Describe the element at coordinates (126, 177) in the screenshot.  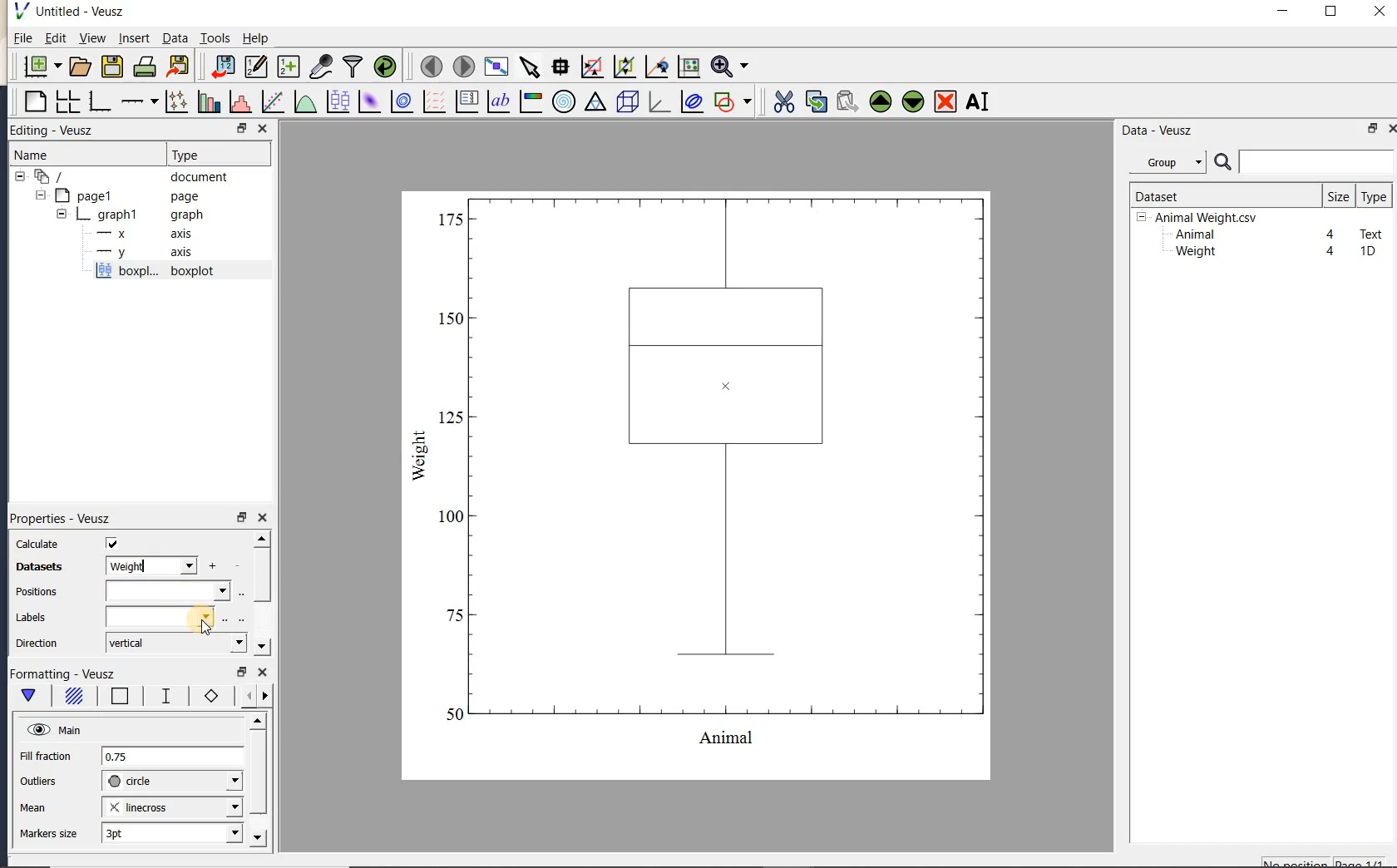
I see `document` at that location.